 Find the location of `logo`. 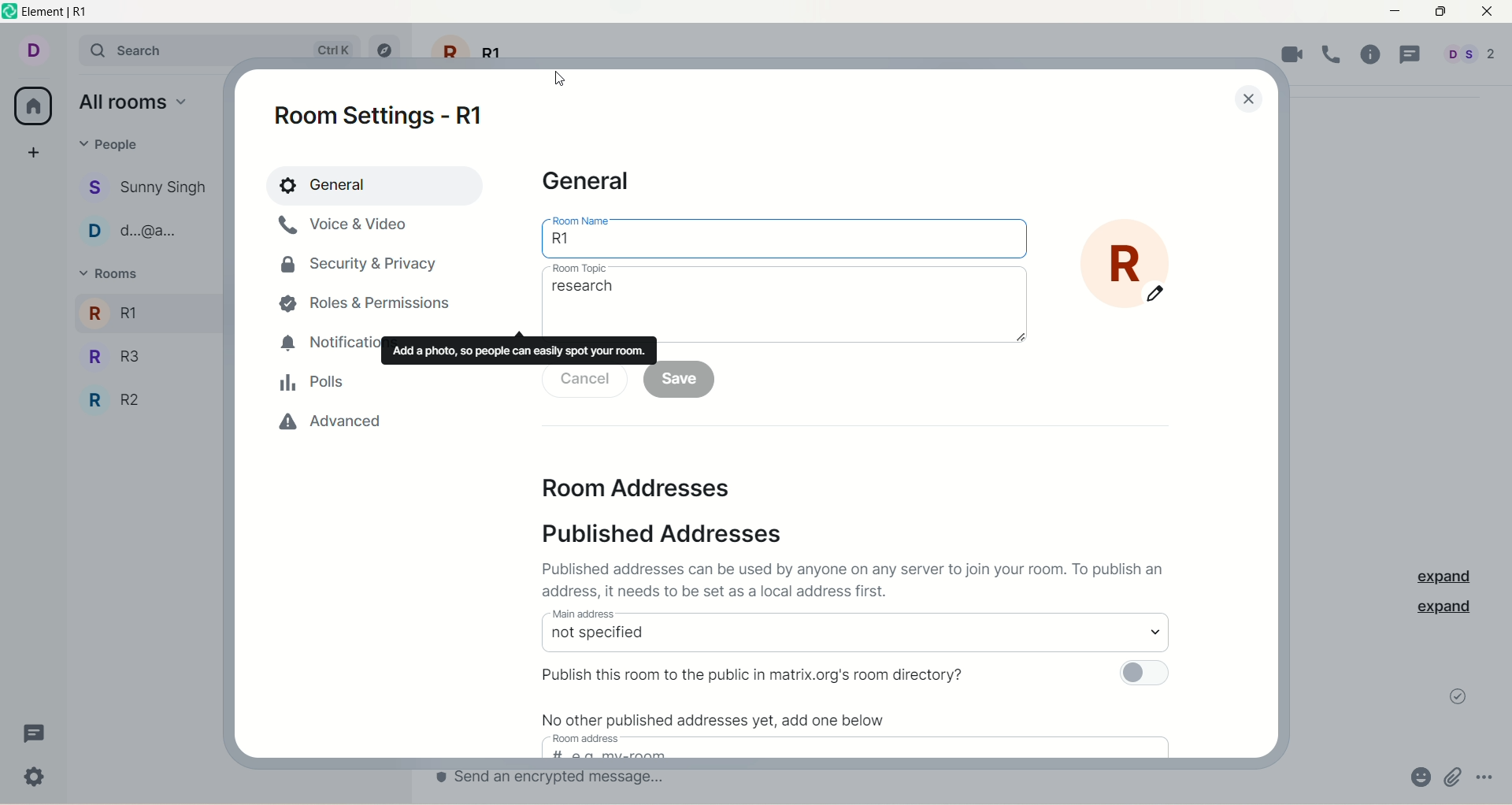

logo is located at coordinates (10, 12).